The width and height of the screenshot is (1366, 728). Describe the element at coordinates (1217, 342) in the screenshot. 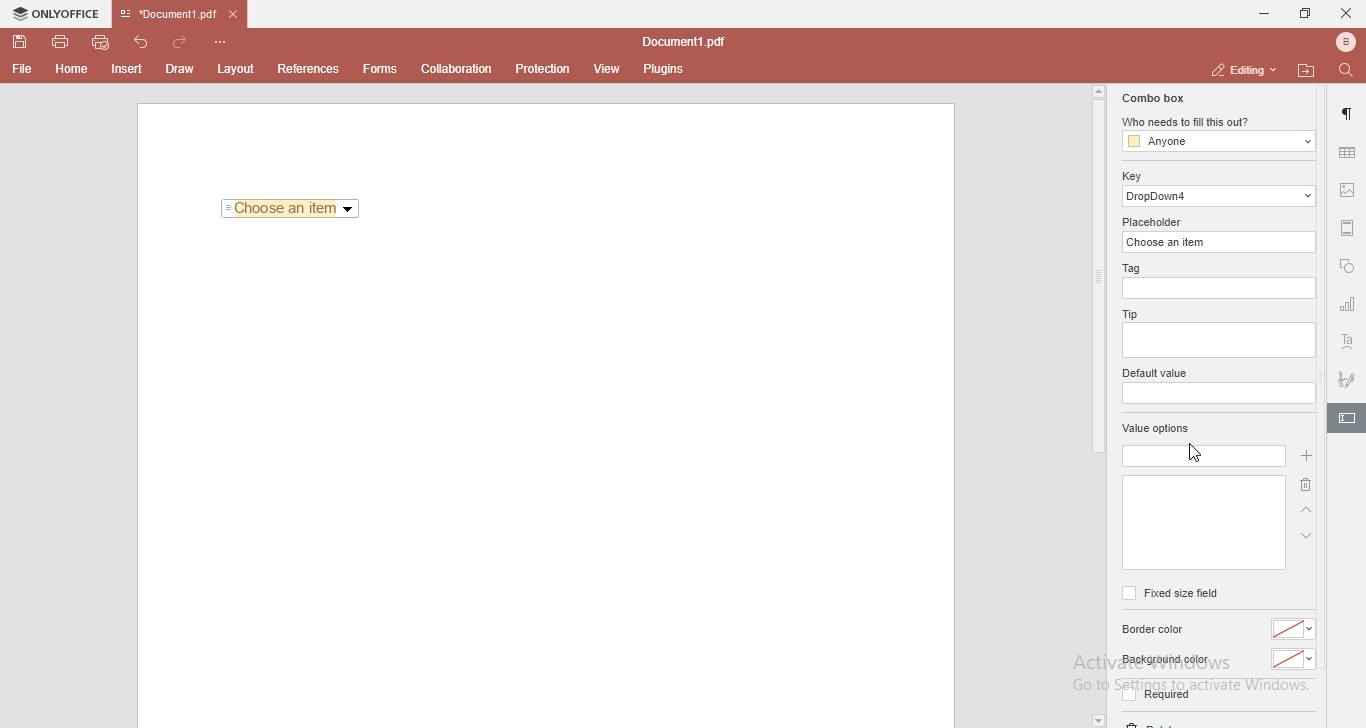

I see `empty box` at that location.